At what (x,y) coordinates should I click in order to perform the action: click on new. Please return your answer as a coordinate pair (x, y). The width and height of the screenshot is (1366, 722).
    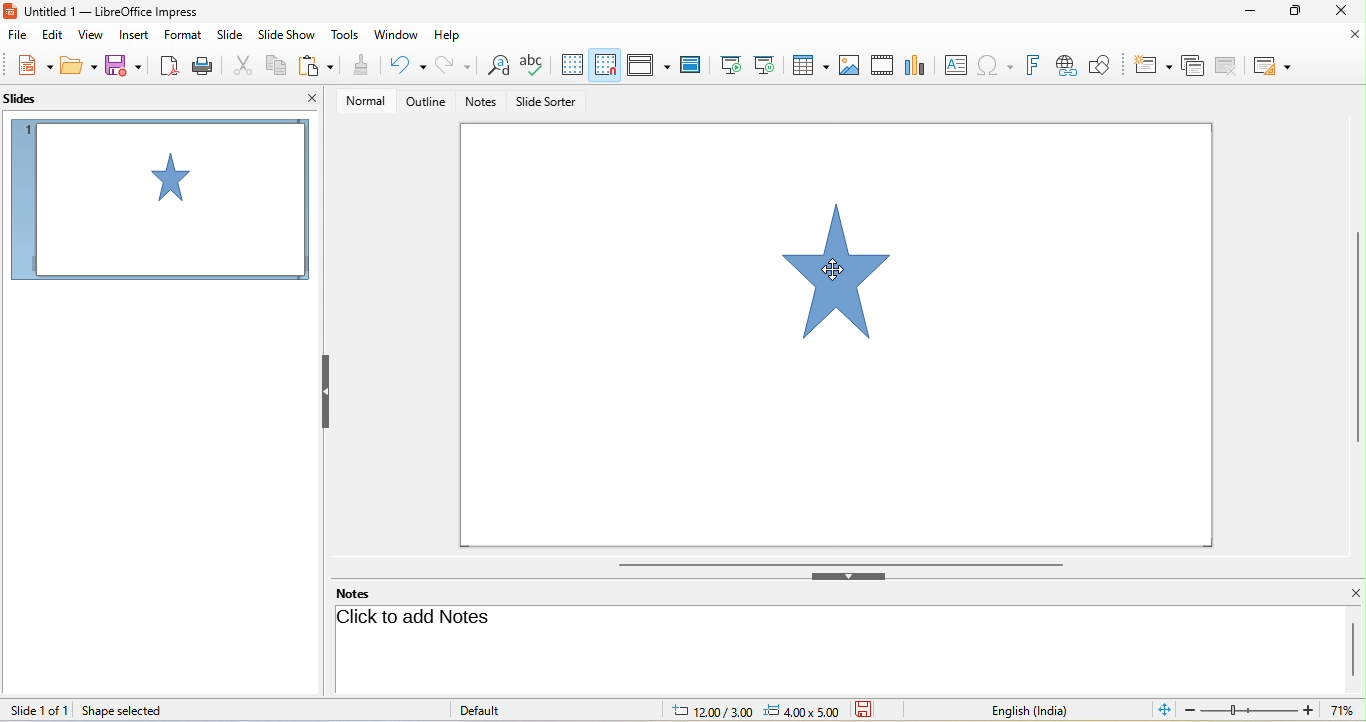
    Looking at the image, I should click on (33, 65).